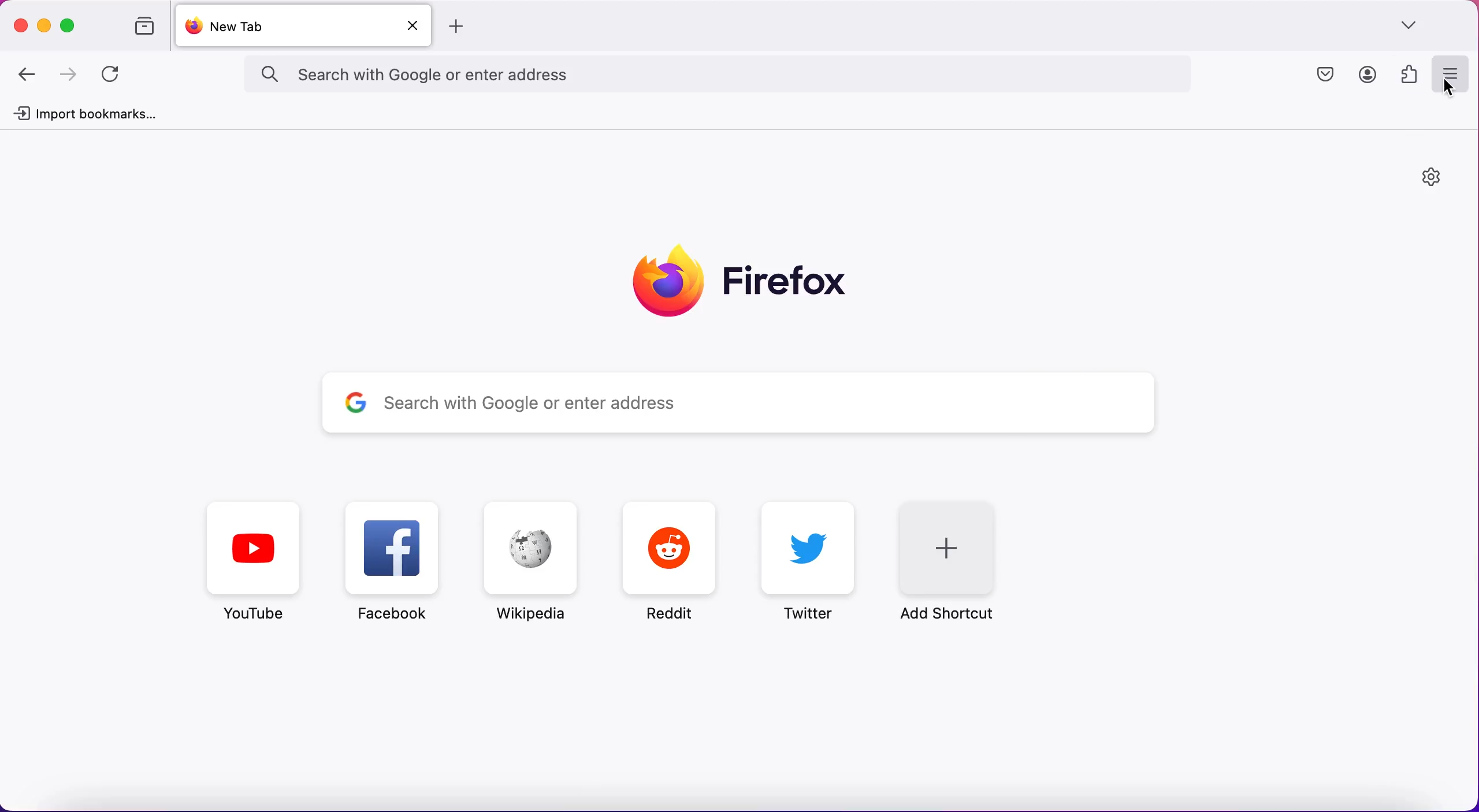  Describe the element at coordinates (417, 25) in the screenshot. I see `close tab` at that location.